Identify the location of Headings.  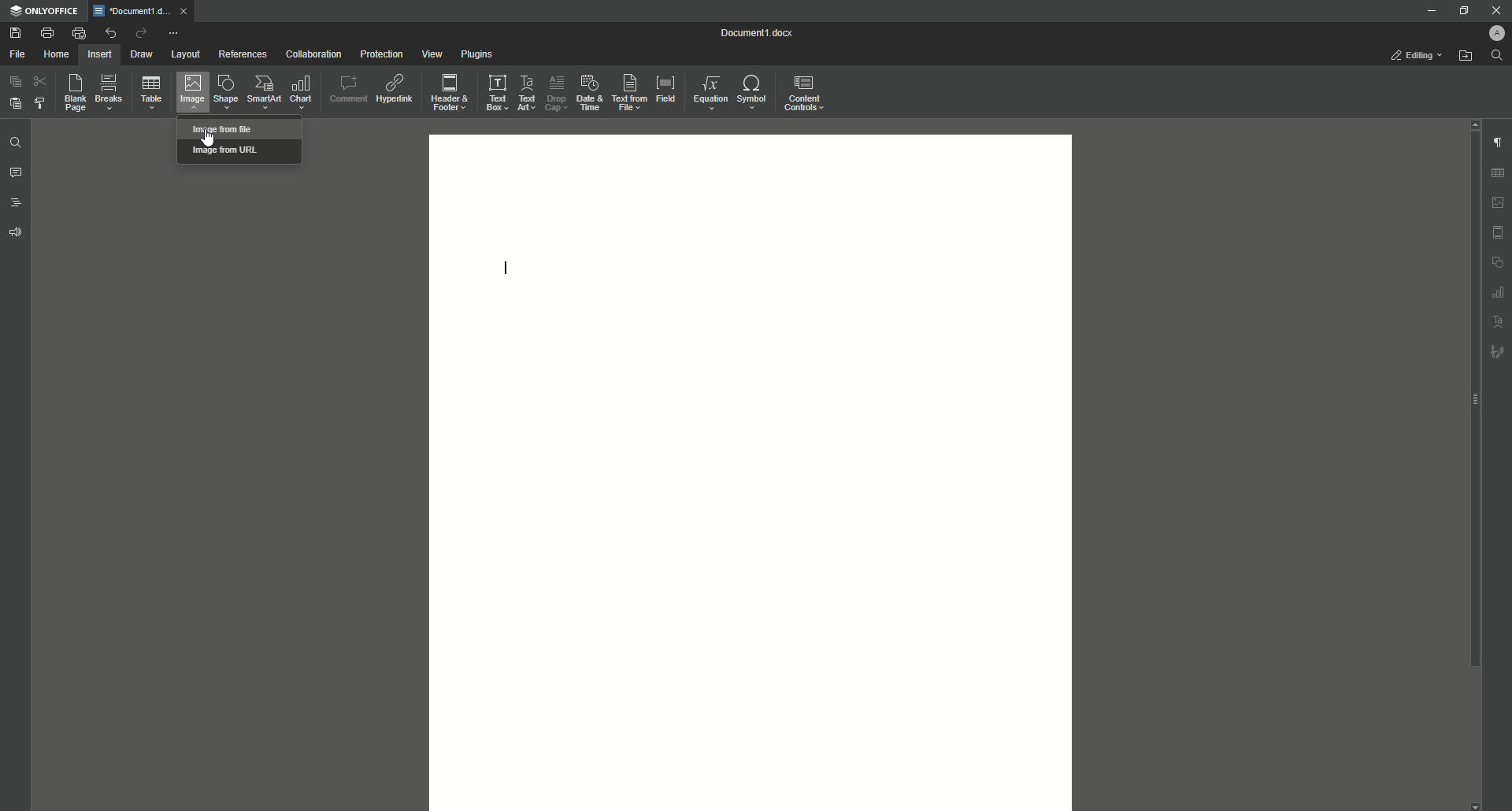
(16, 202).